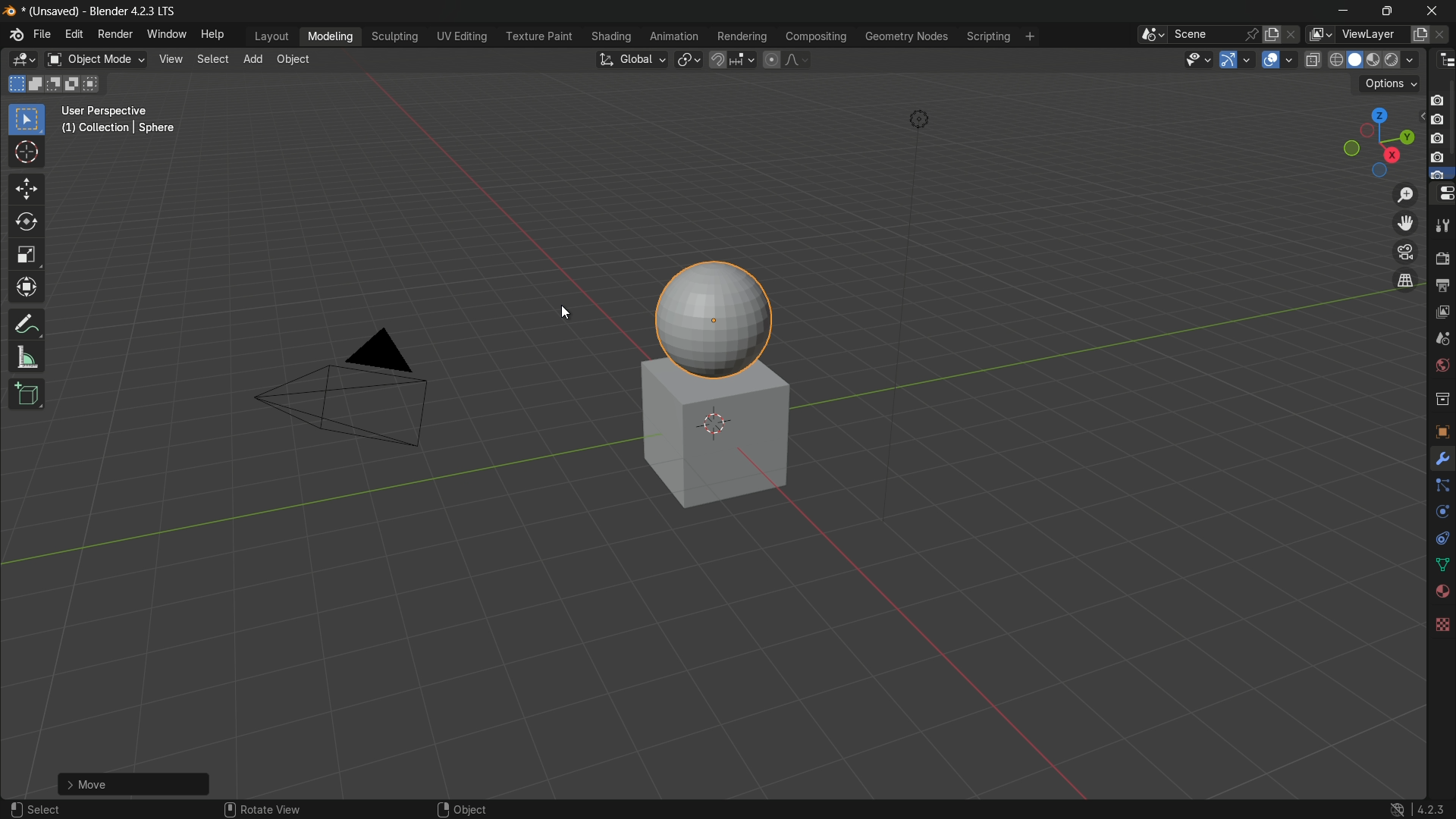 The image size is (1456, 819). What do you see at coordinates (1295, 36) in the screenshot?
I see `delete scenes` at bounding box center [1295, 36].